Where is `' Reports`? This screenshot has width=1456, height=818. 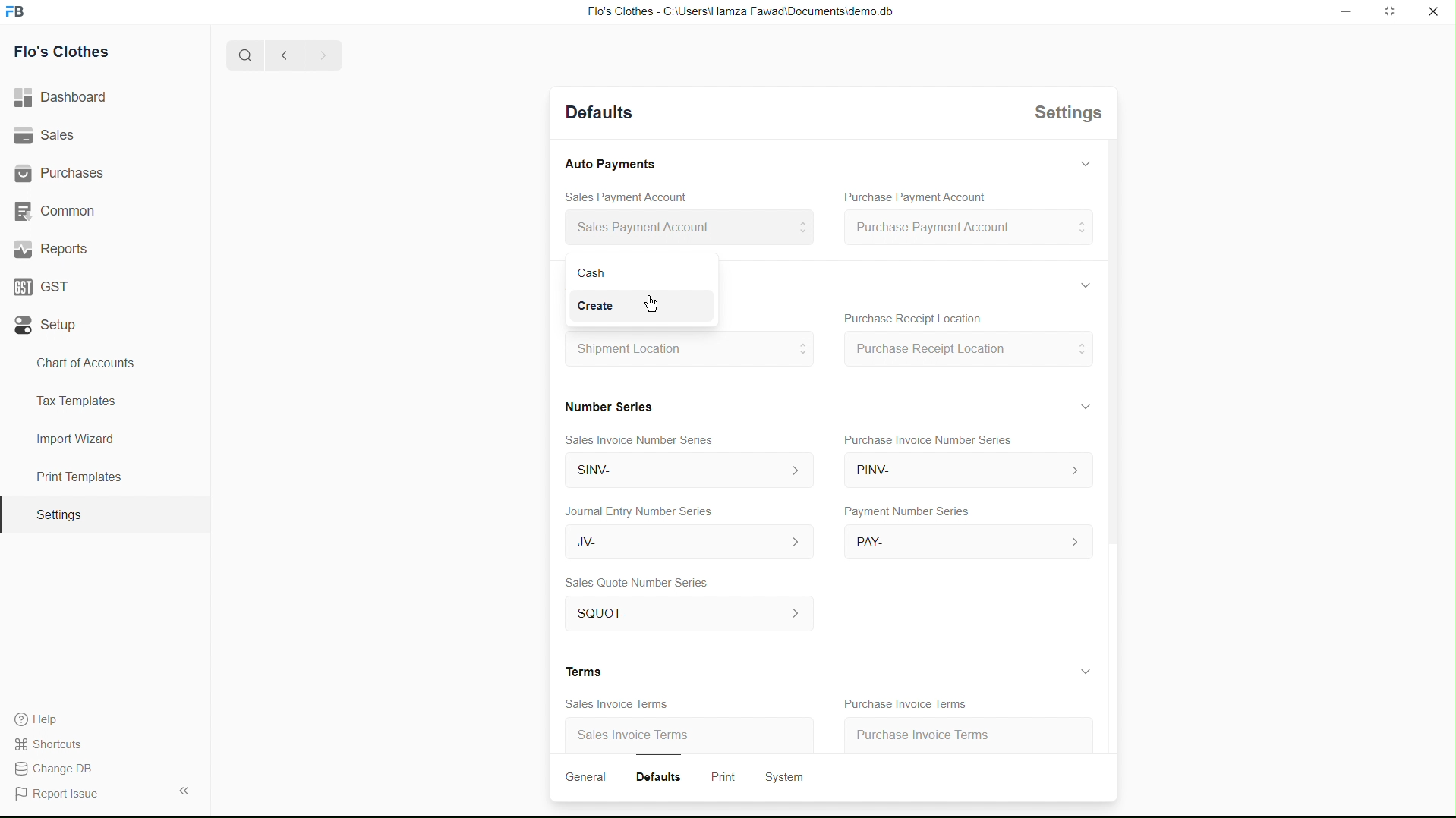 ' Reports is located at coordinates (54, 248).